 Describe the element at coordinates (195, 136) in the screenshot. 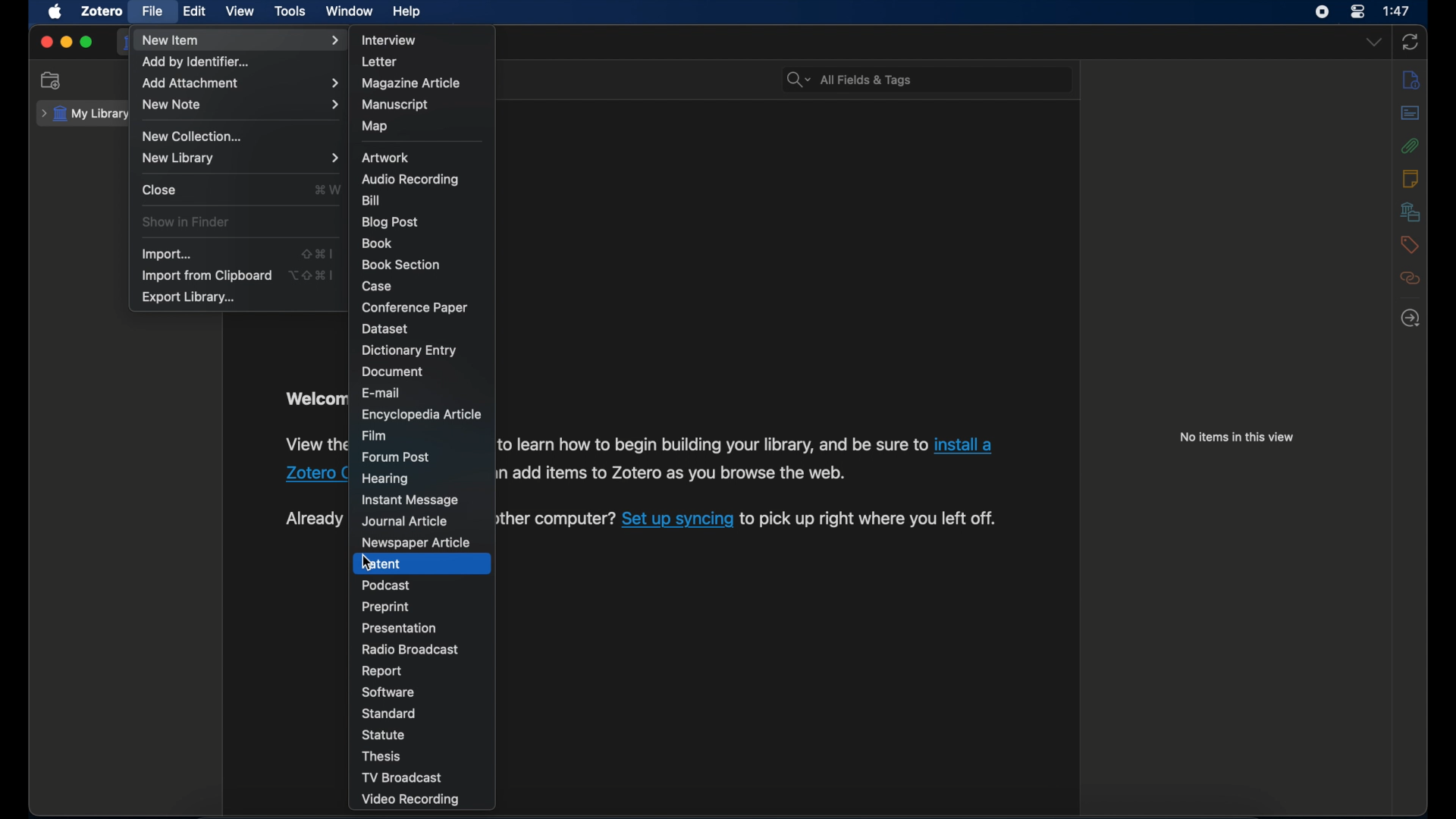

I see `new collection` at that location.